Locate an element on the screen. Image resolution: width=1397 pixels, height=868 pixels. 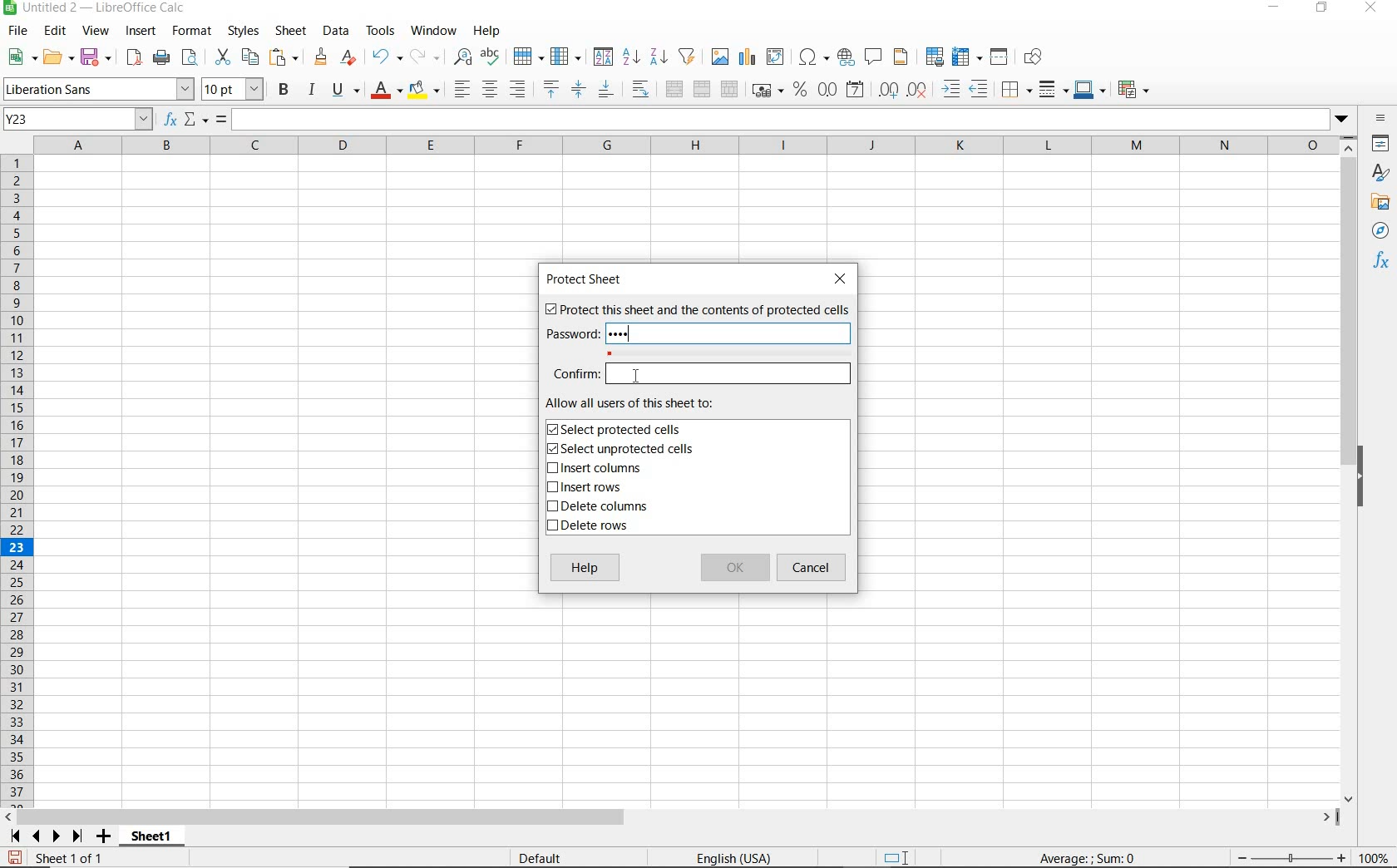
BACKGROUND COLOR is located at coordinates (424, 89).